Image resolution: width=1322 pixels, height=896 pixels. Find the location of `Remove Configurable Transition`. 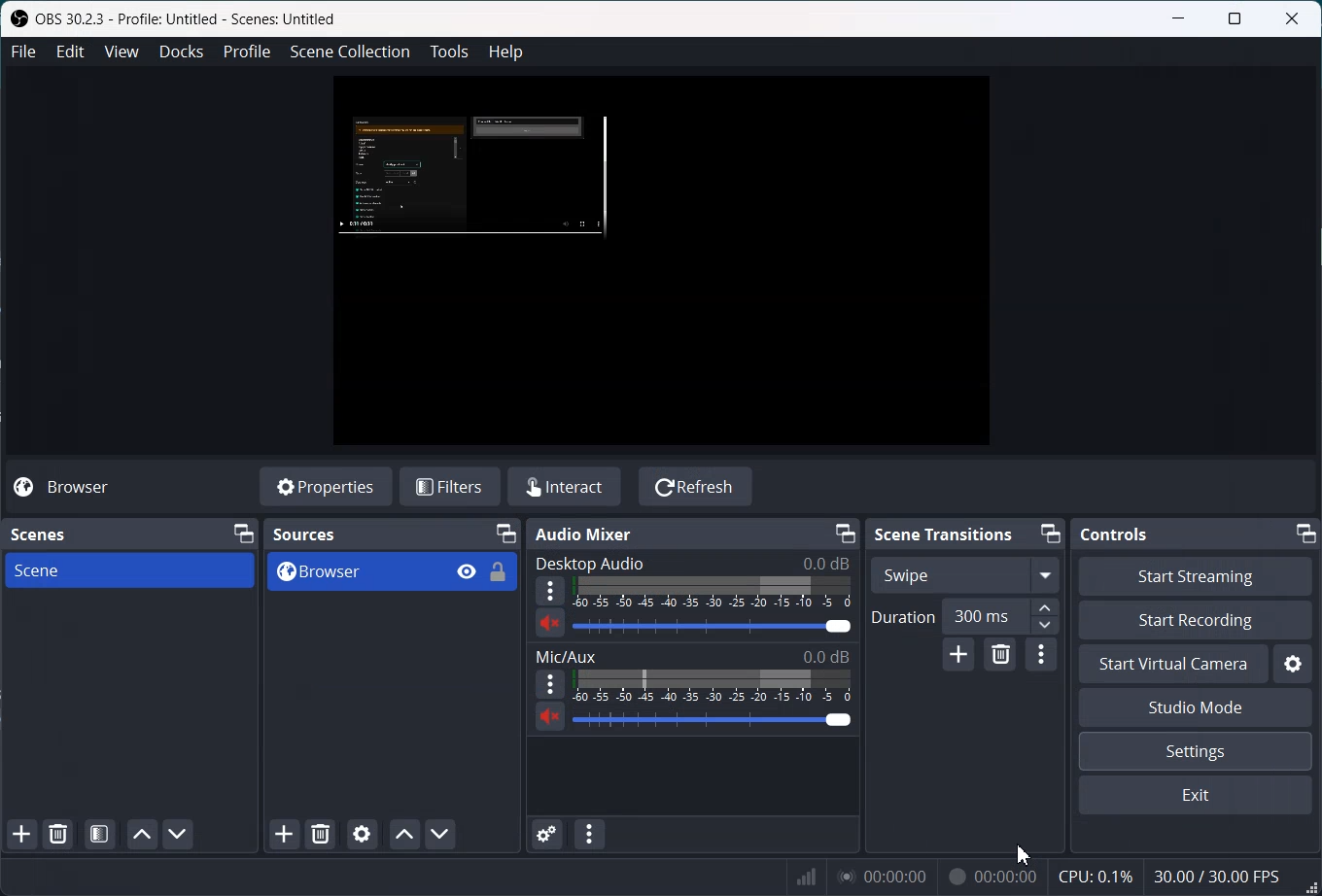

Remove Configurable Transition is located at coordinates (999, 655).